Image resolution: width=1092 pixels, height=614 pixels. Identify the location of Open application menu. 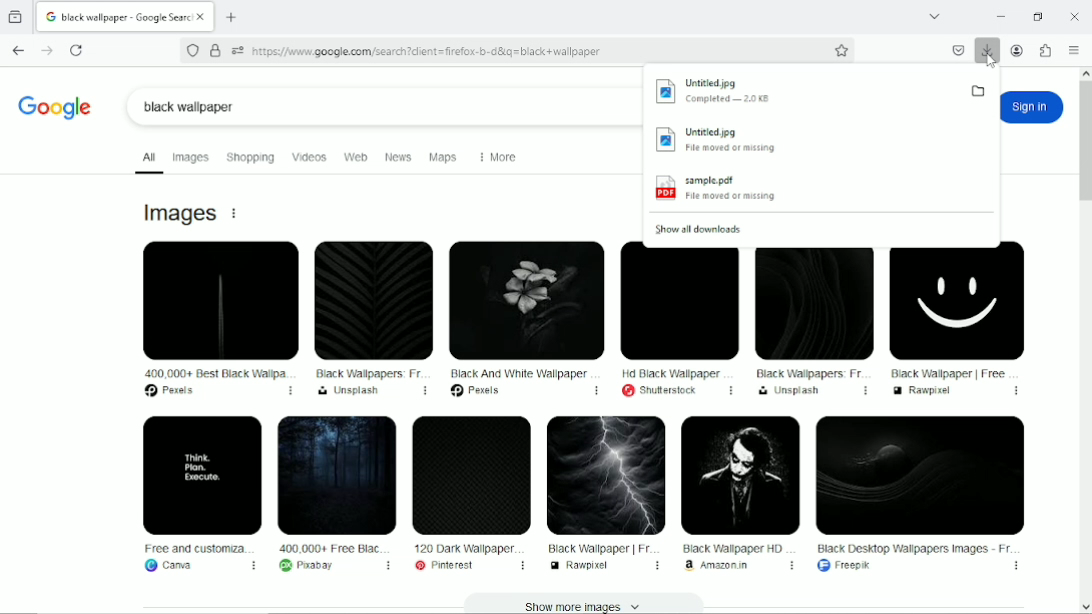
(1075, 50).